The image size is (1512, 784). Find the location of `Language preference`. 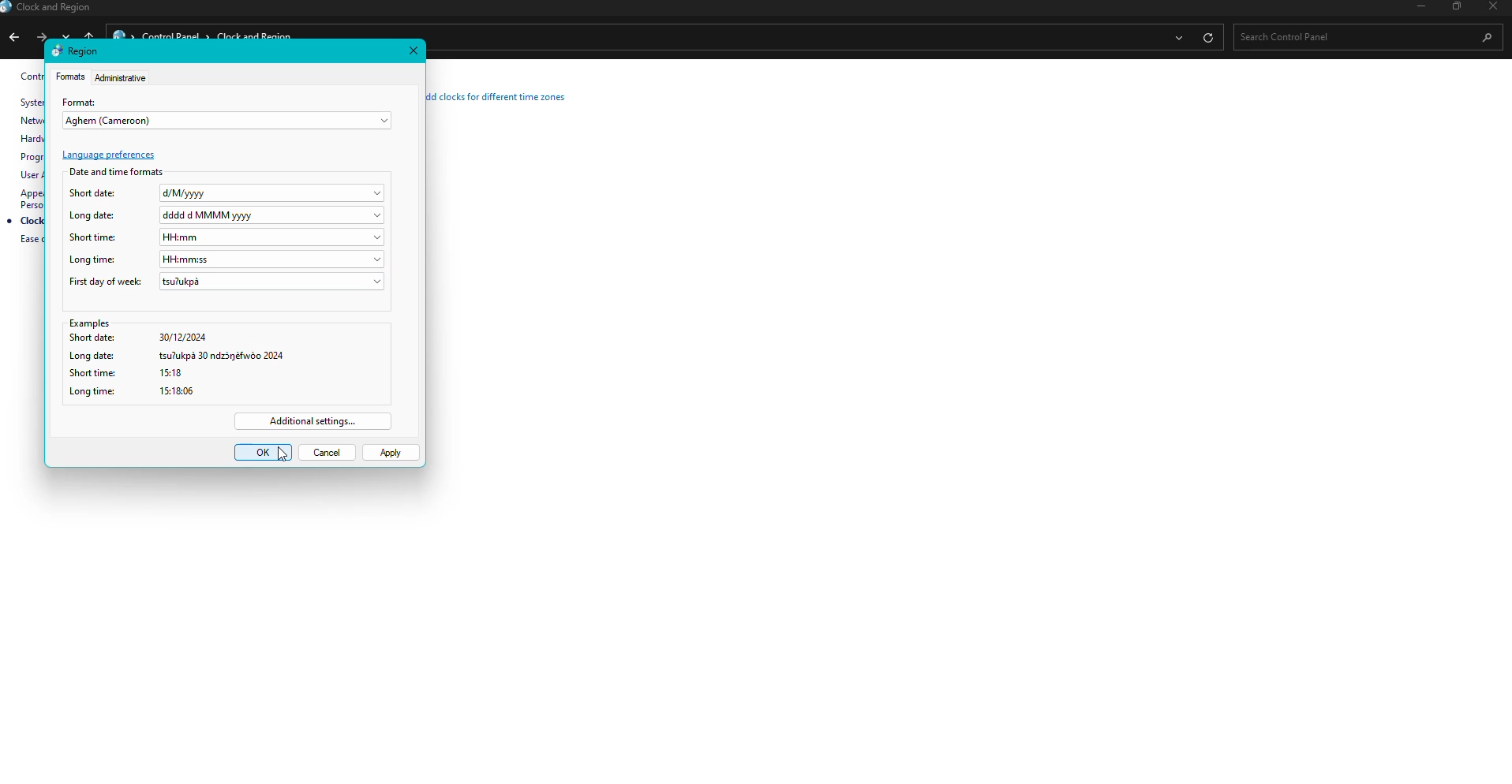

Language preference is located at coordinates (110, 155).